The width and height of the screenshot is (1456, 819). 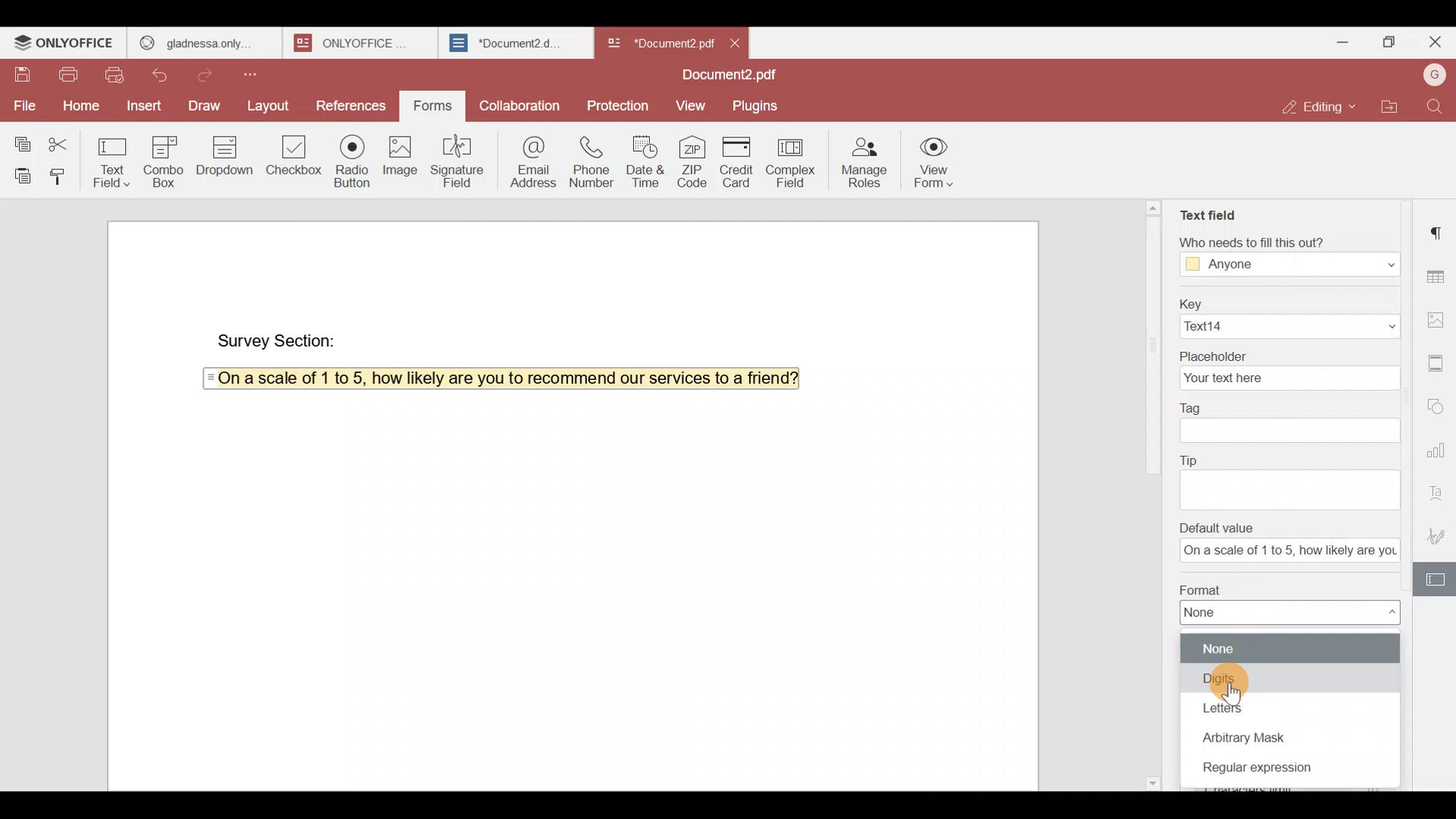 What do you see at coordinates (507, 41) in the screenshot?
I see `*Document2.d..` at bounding box center [507, 41].